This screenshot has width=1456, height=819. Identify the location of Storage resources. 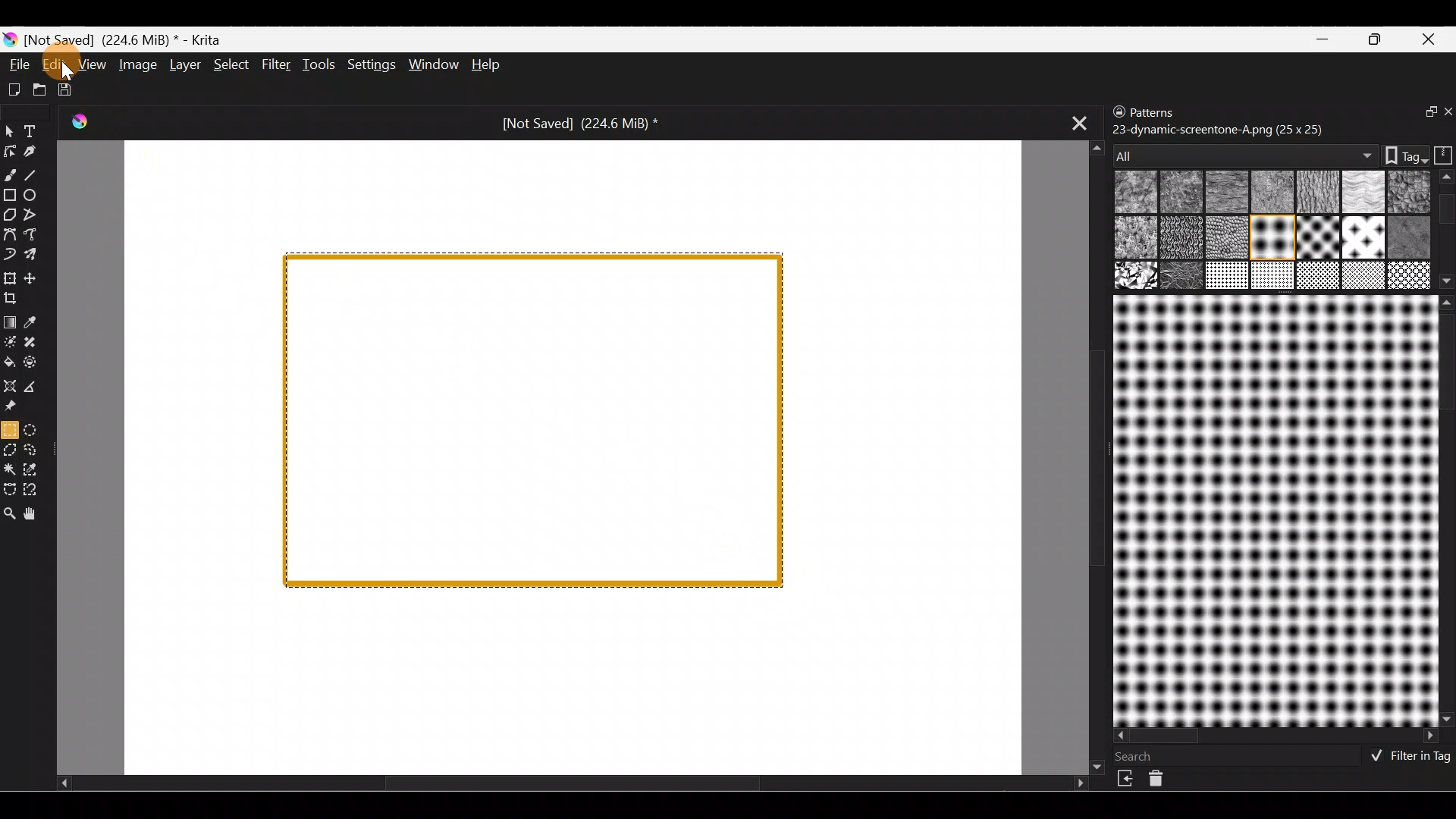
(1441, 154).